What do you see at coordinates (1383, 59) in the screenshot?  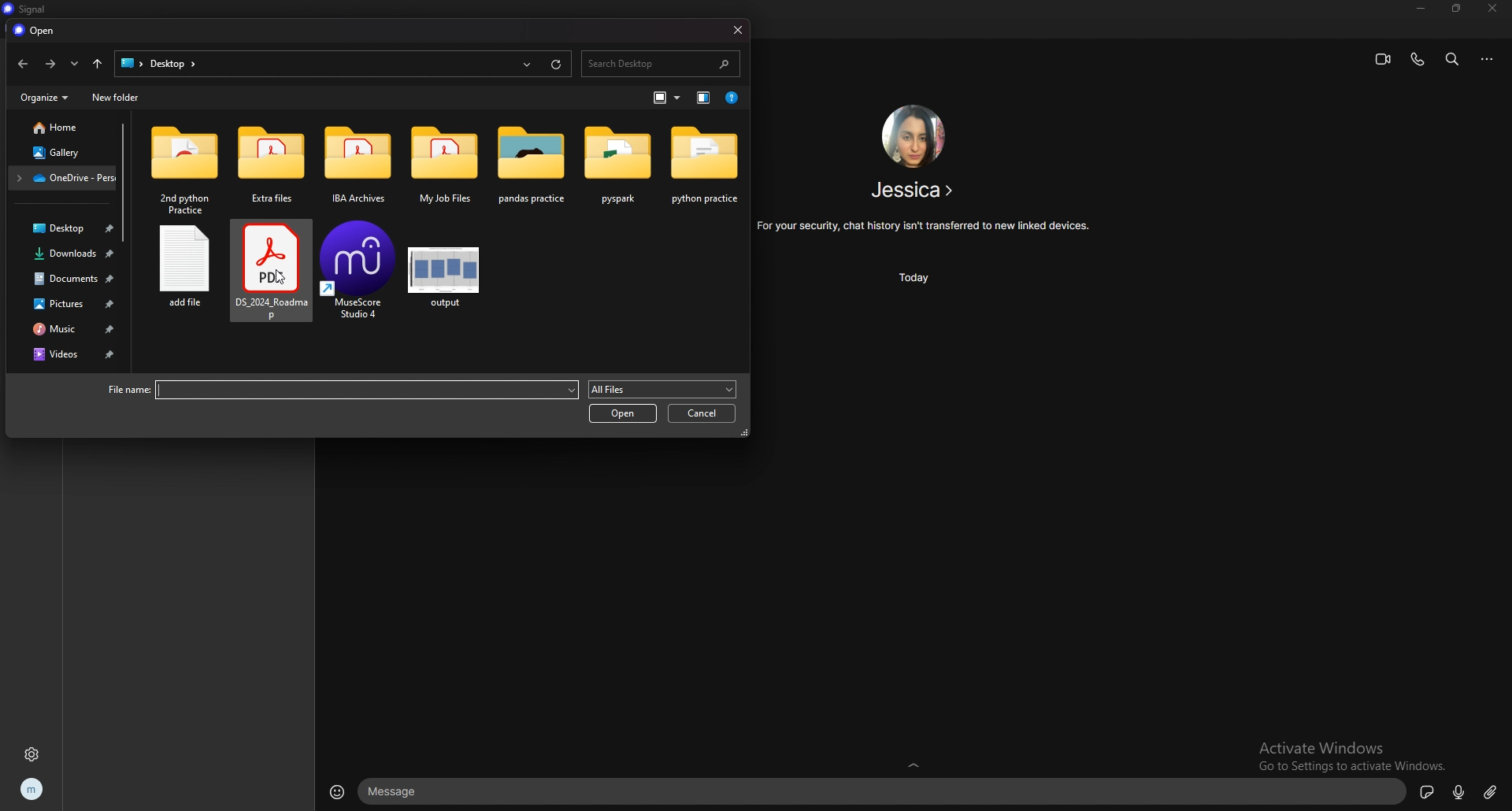 I see `video call` at bounding box center [1383, 59].